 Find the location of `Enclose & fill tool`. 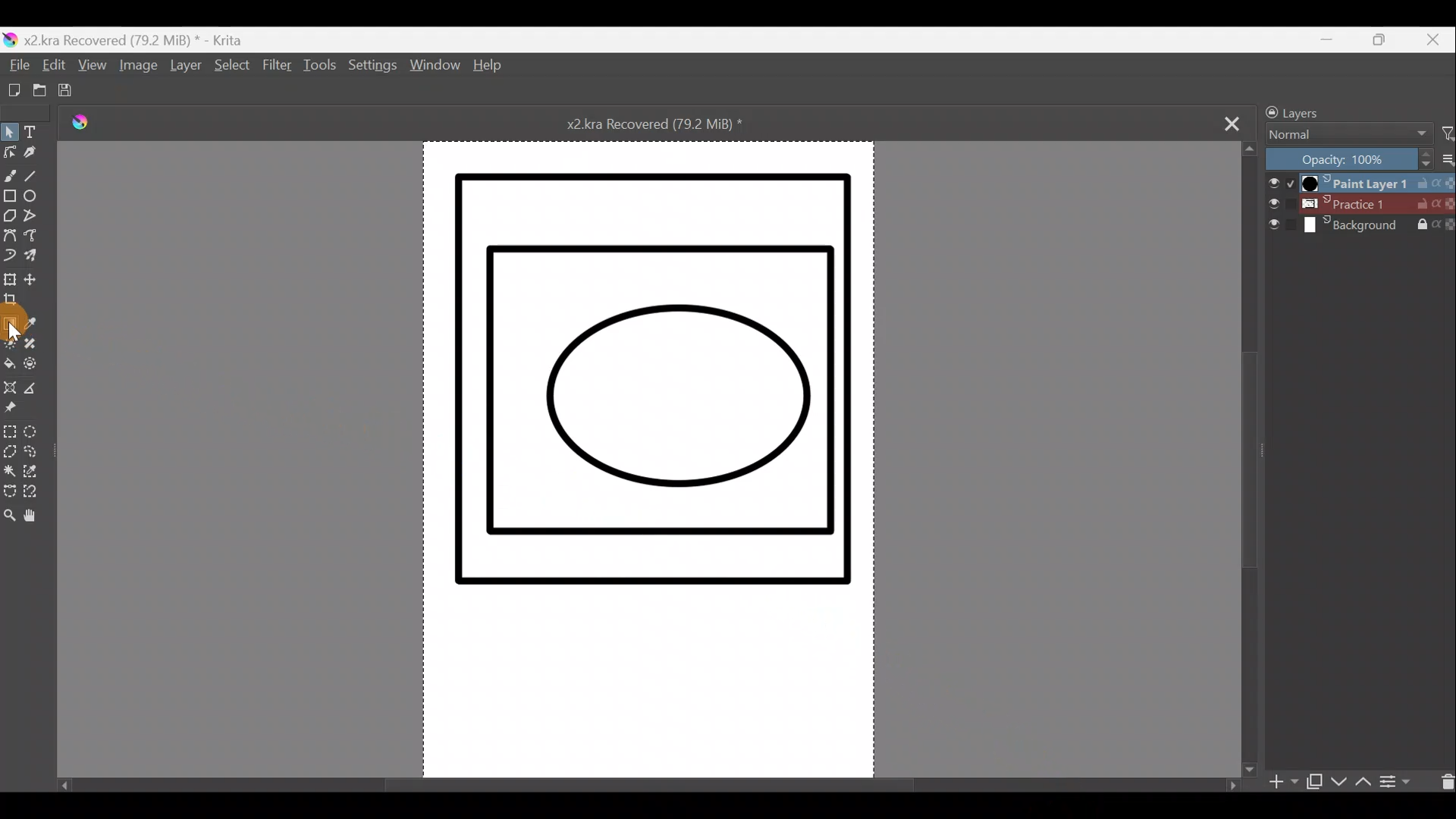

Enclose & fill tool is located at coordinates (39, 367).